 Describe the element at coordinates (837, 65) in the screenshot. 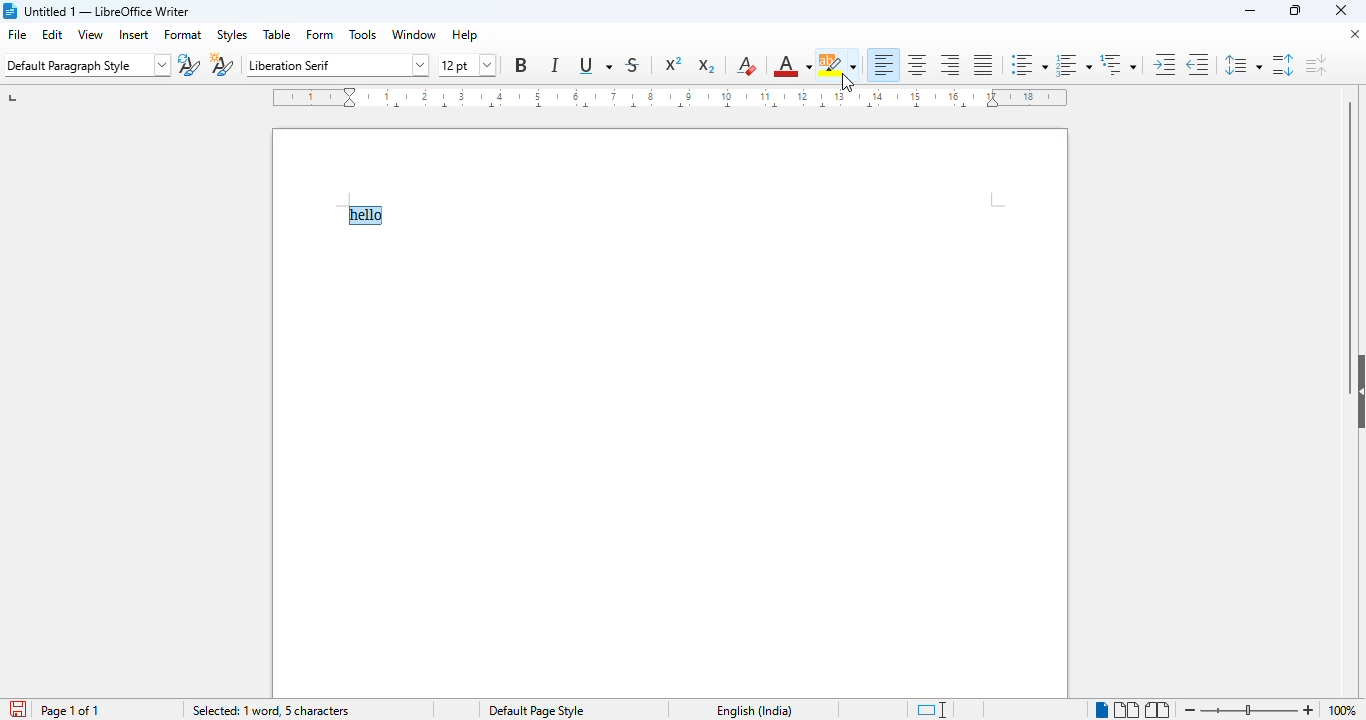

I see `character highlighting color` at that location.